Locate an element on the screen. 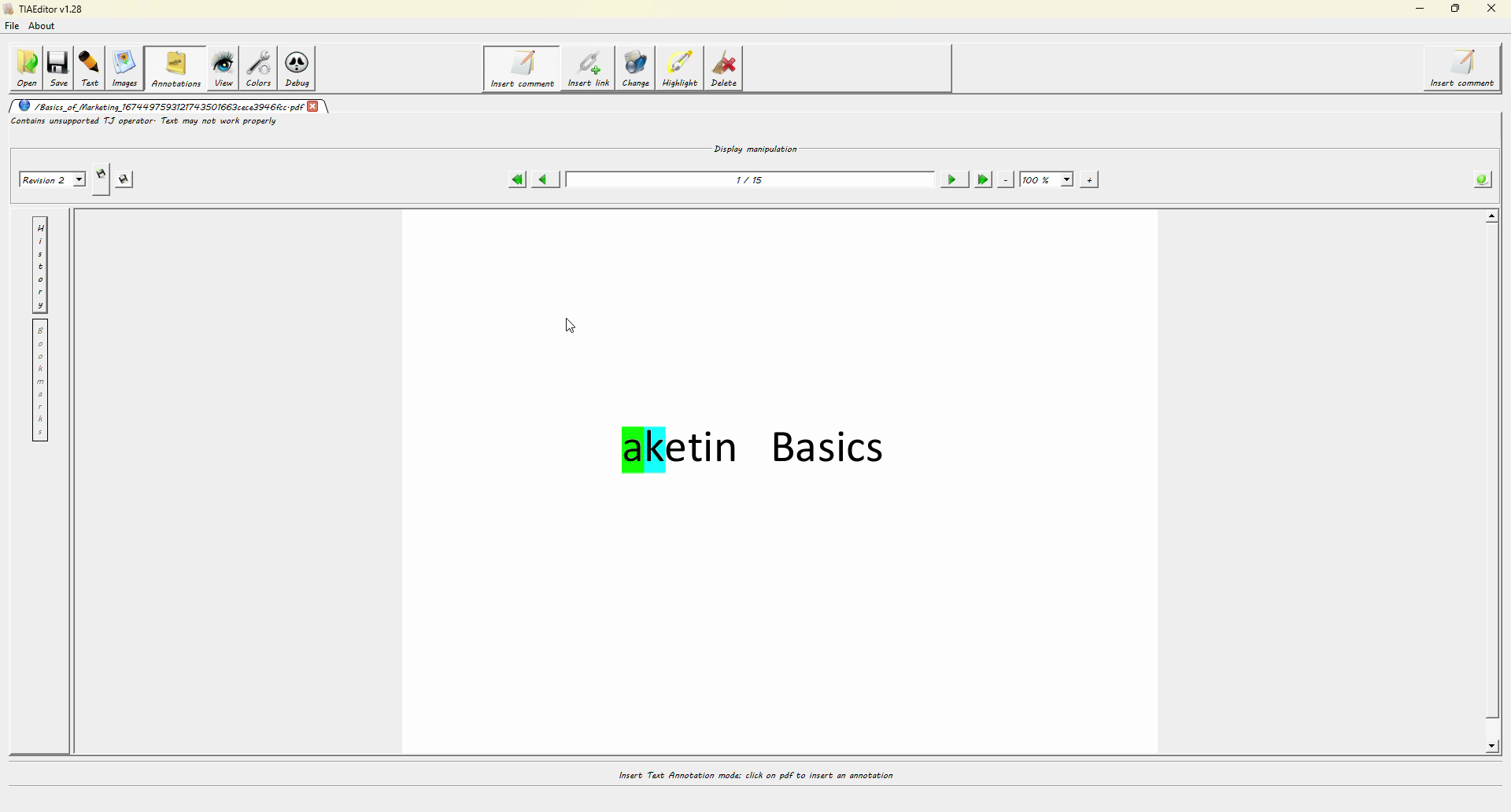  previous page is located at coordinates (545, 180).